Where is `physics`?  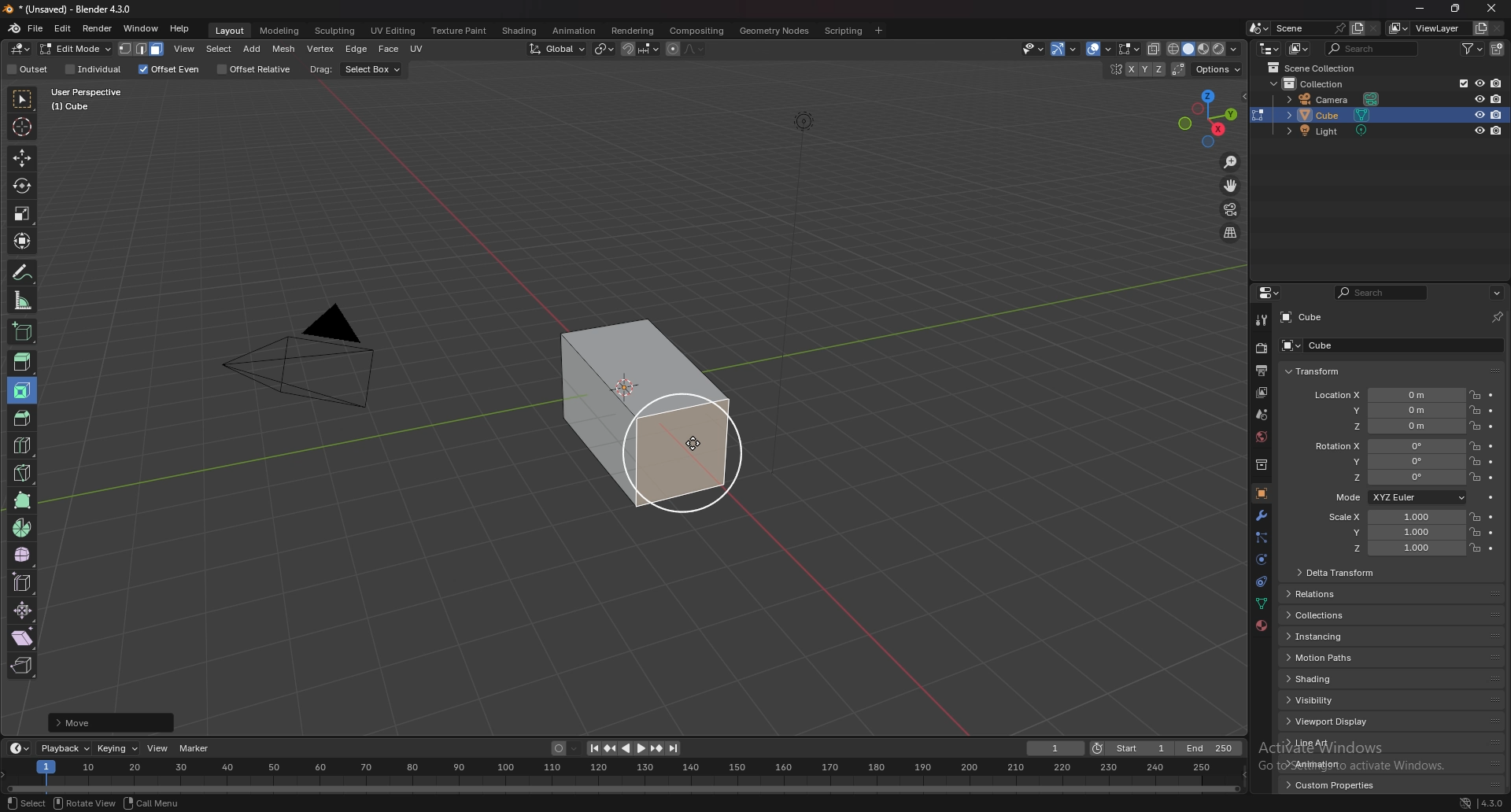 physics is located at coordinates (1261, 560).